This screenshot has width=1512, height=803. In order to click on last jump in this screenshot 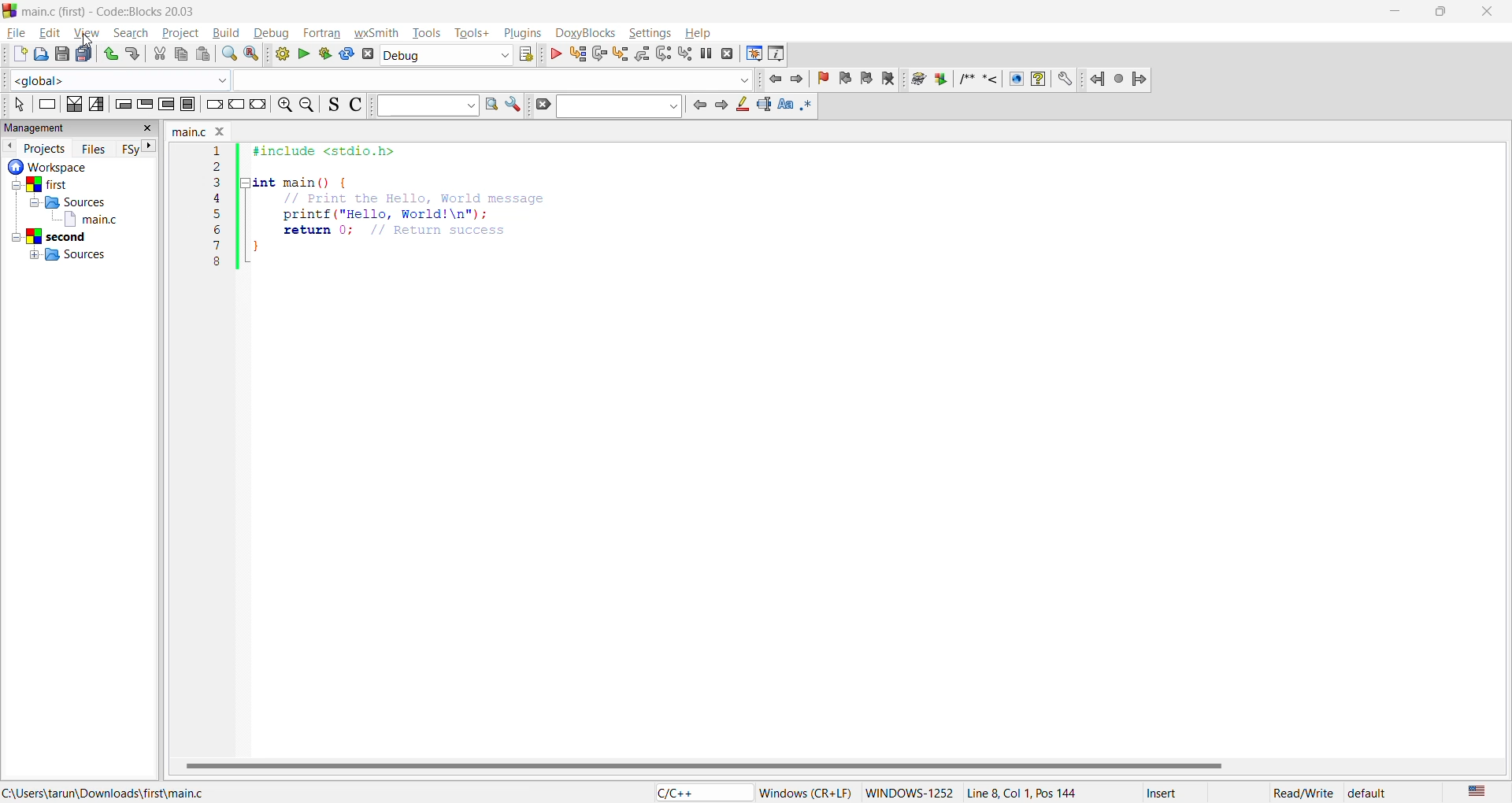, I will do `click(1118, 78)`.